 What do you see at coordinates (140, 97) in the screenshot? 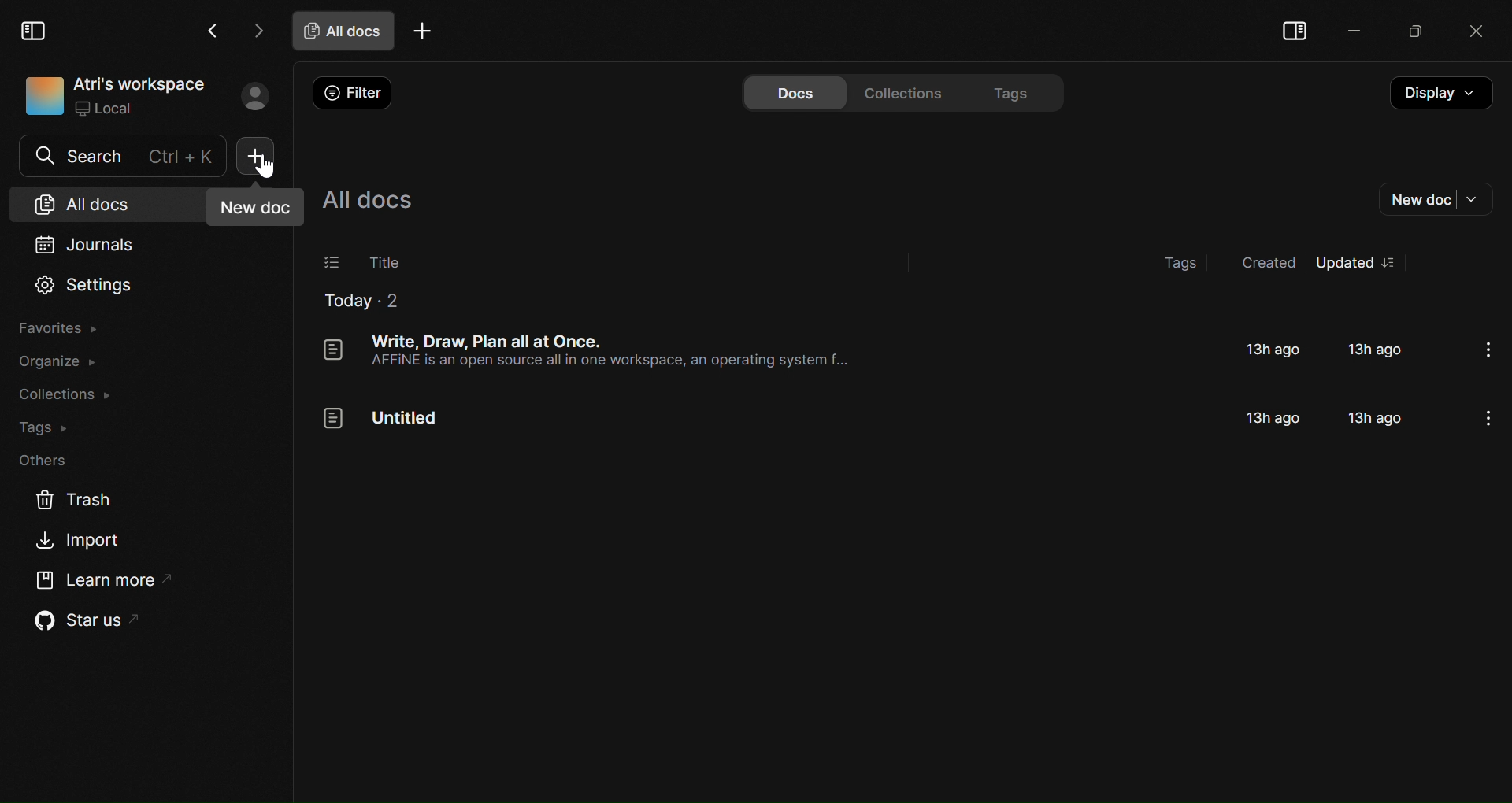
I see `Atri's workspace Local` at bounding box center [140, 97].